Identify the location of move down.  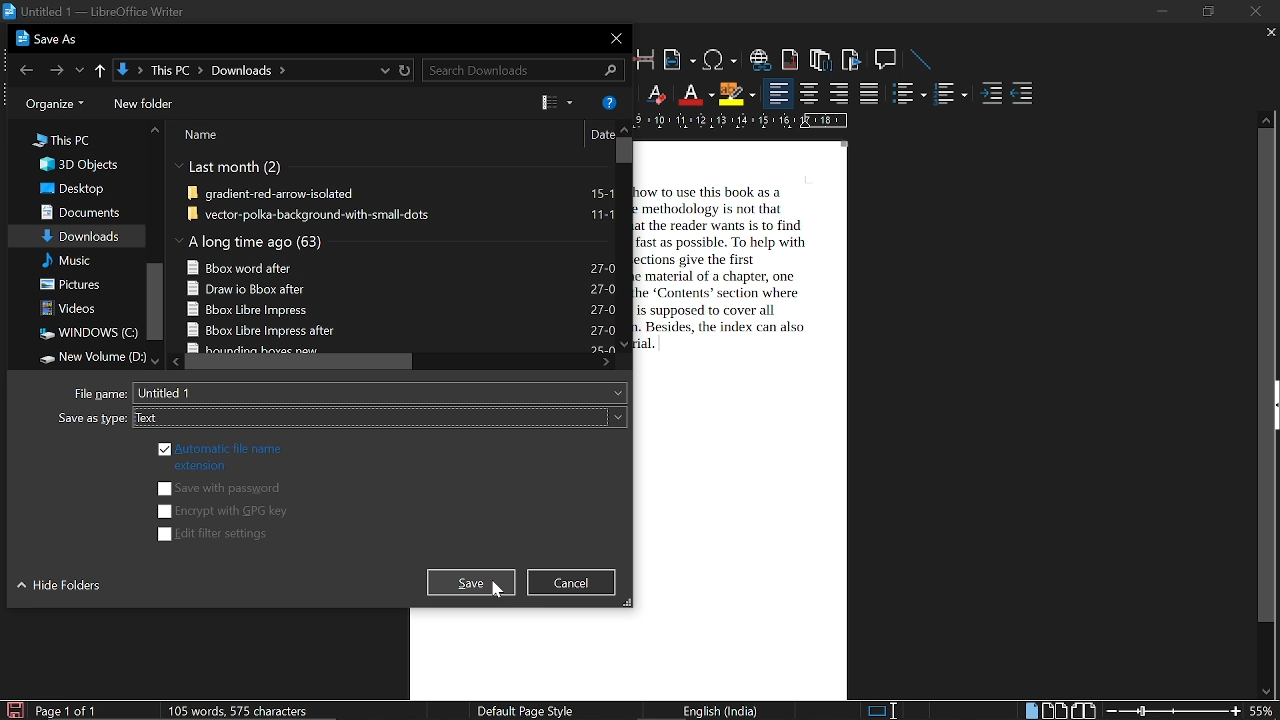
(1262, 692).